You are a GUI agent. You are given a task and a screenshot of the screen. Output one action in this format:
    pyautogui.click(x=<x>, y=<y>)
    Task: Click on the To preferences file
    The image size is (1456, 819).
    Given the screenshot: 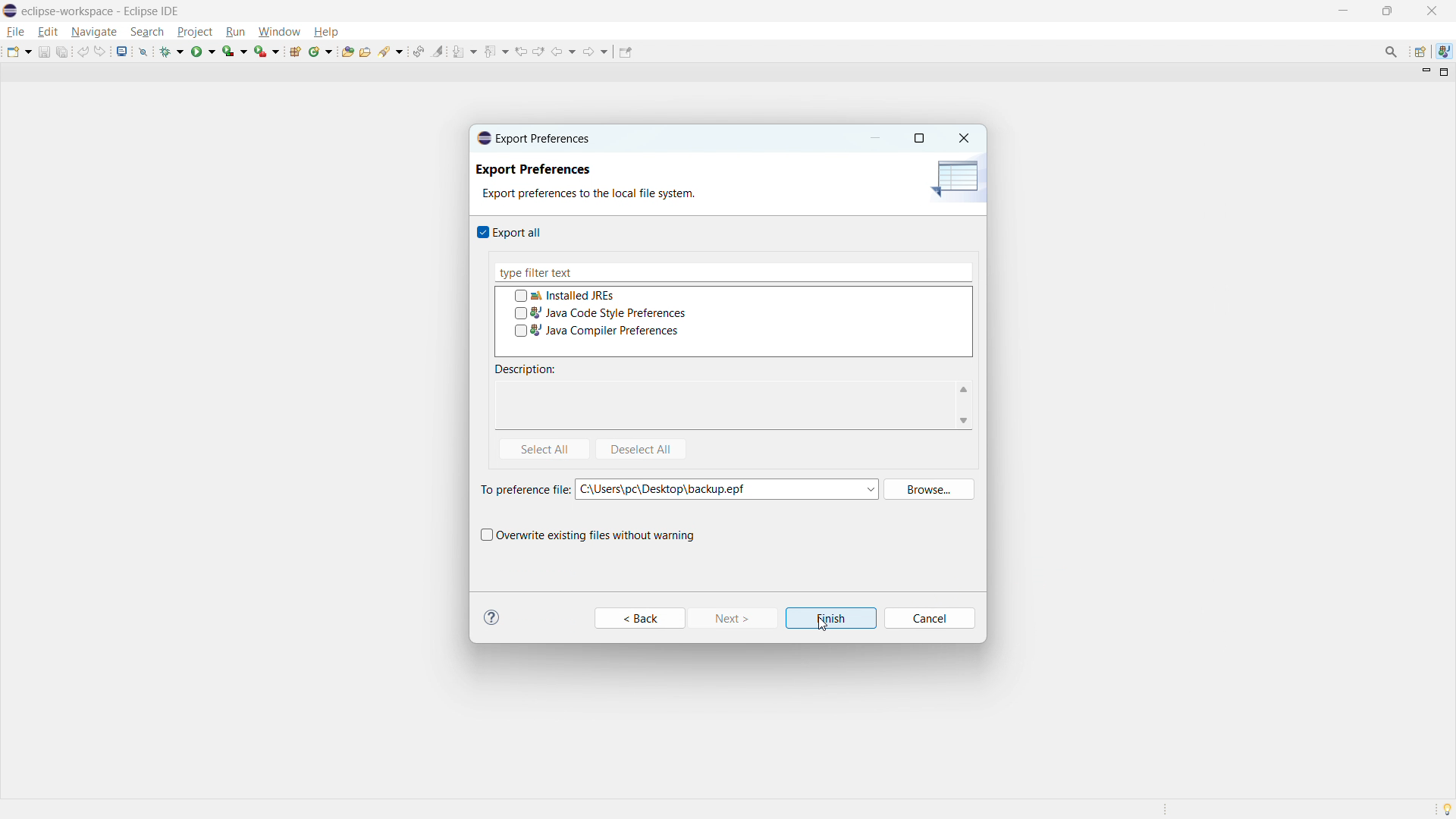 What is the action you would take?
    pyautogui.click(x=523, y=489)
    